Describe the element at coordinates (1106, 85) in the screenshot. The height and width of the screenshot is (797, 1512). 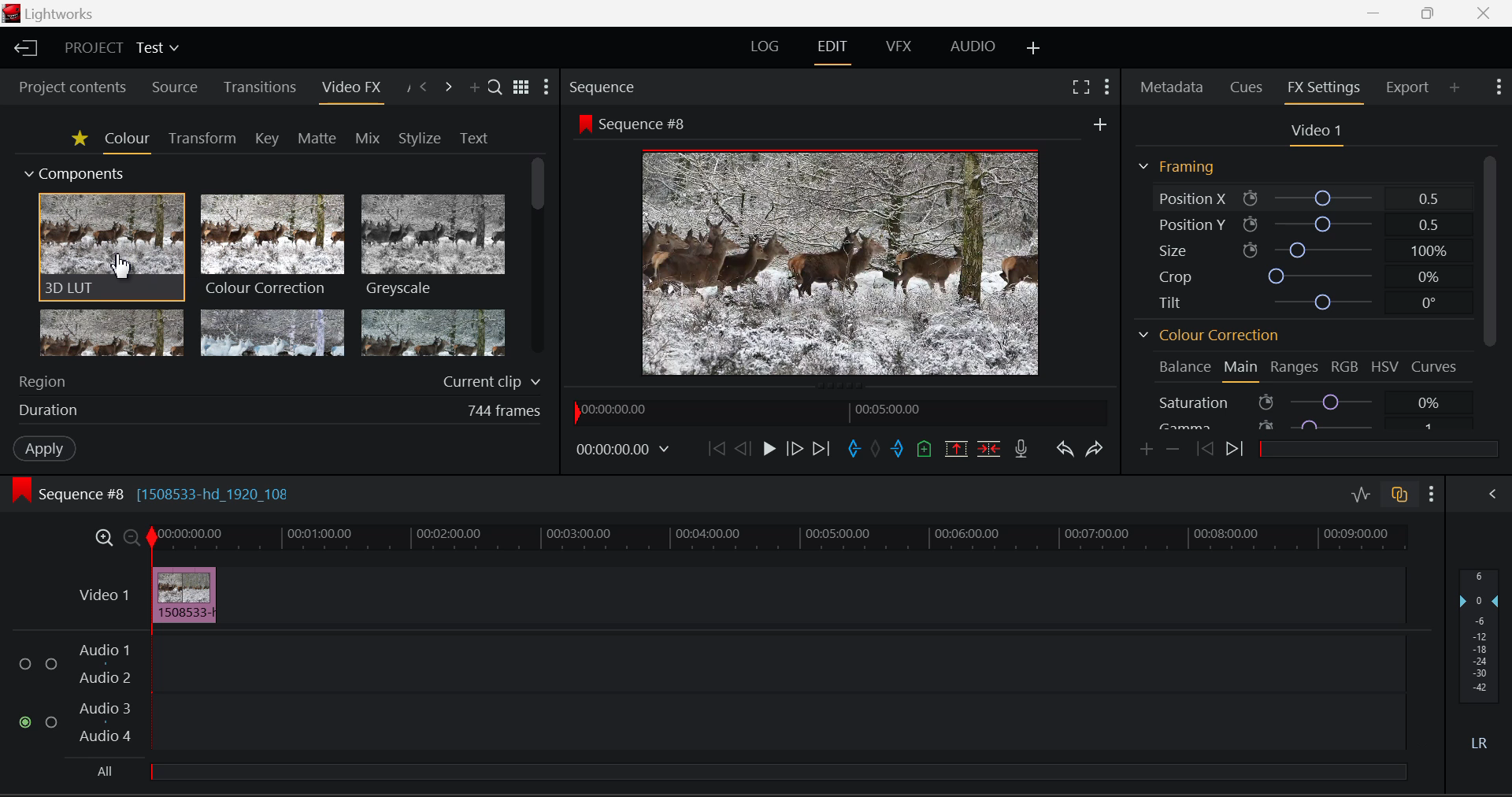
I see `Show Settings` at that location.